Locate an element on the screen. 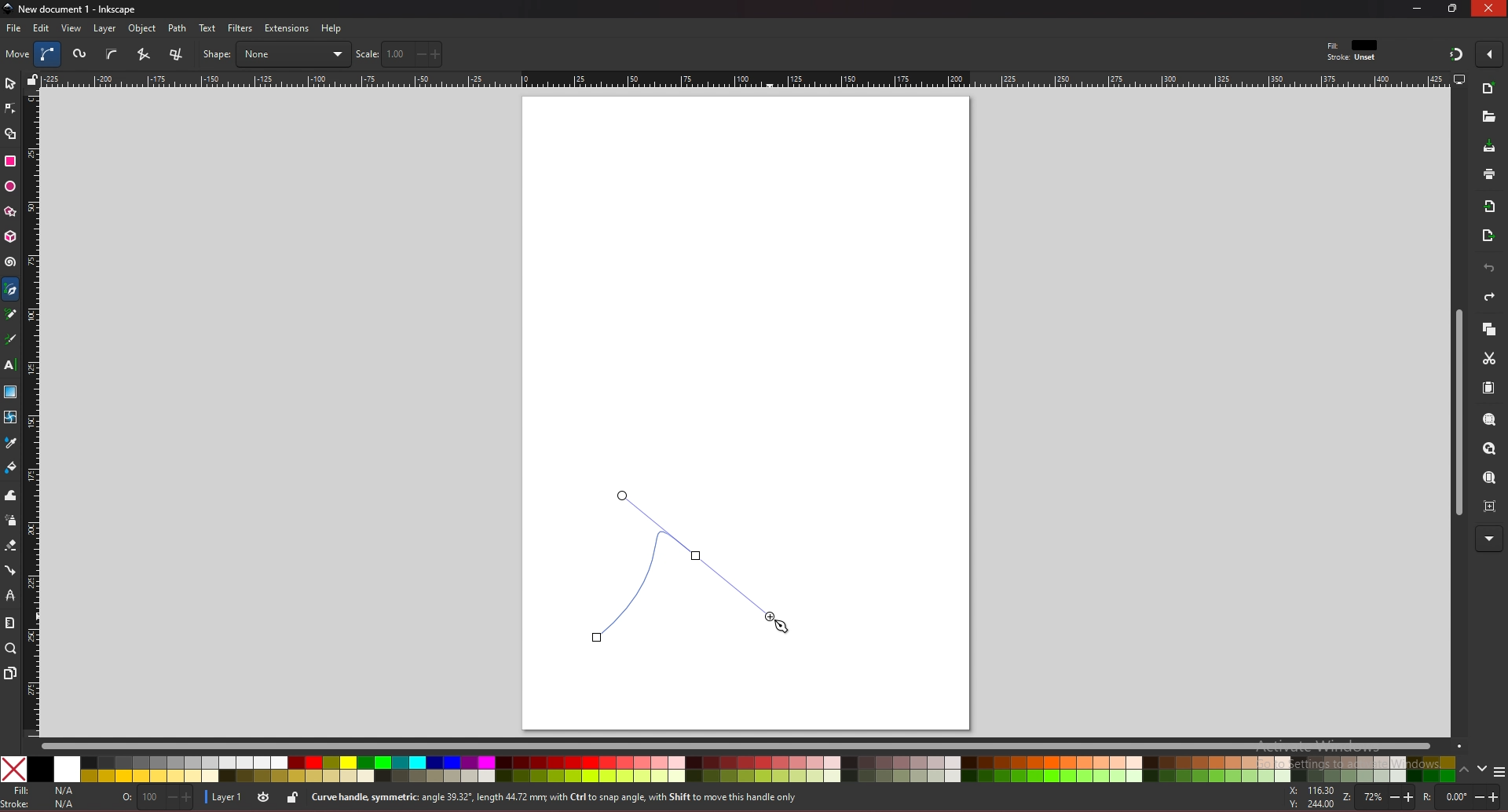  cut is located at coordinates (1489, 359).